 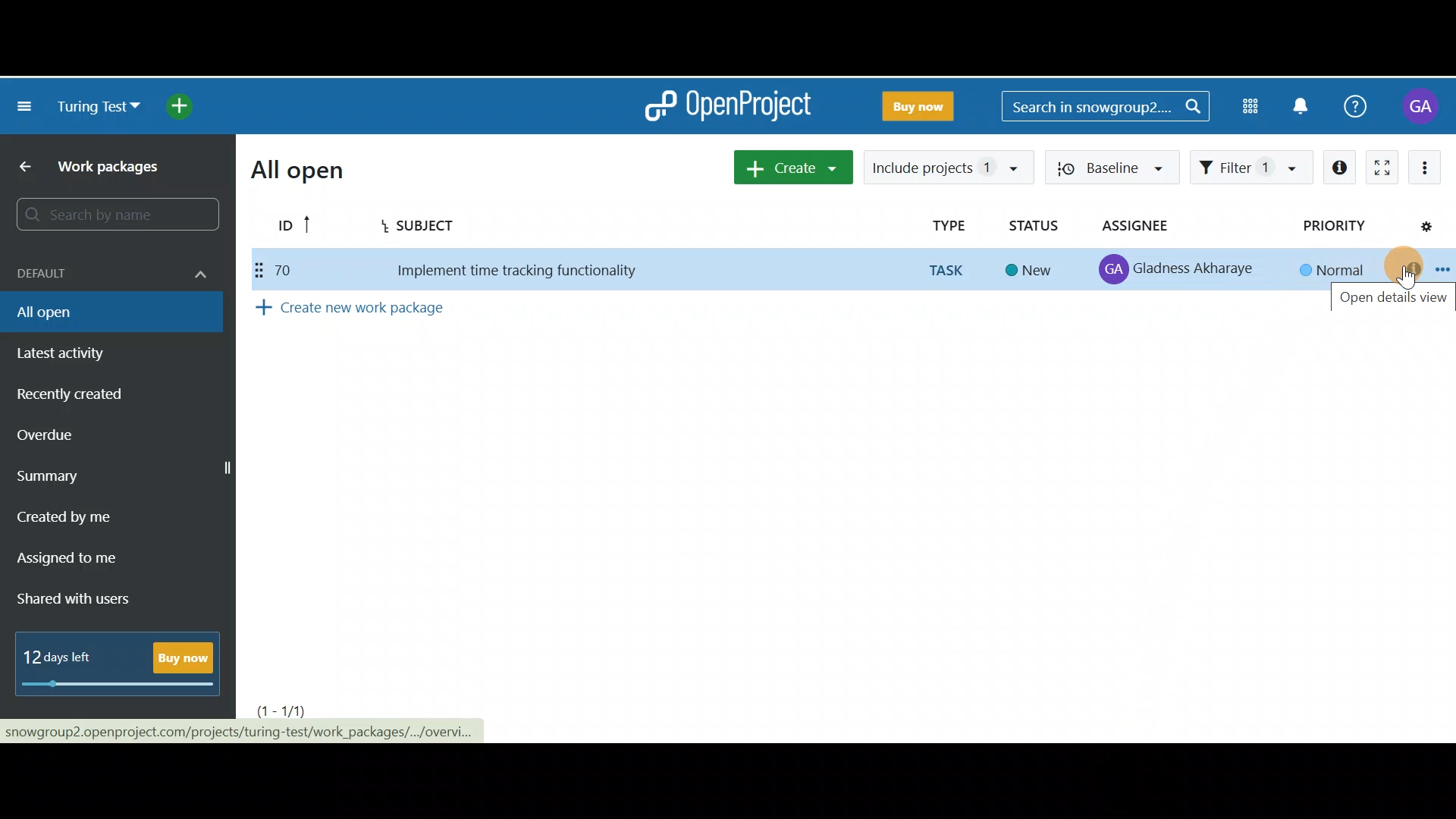 I want to click on Implement time tracking functionality, so click(x=533, y=271).